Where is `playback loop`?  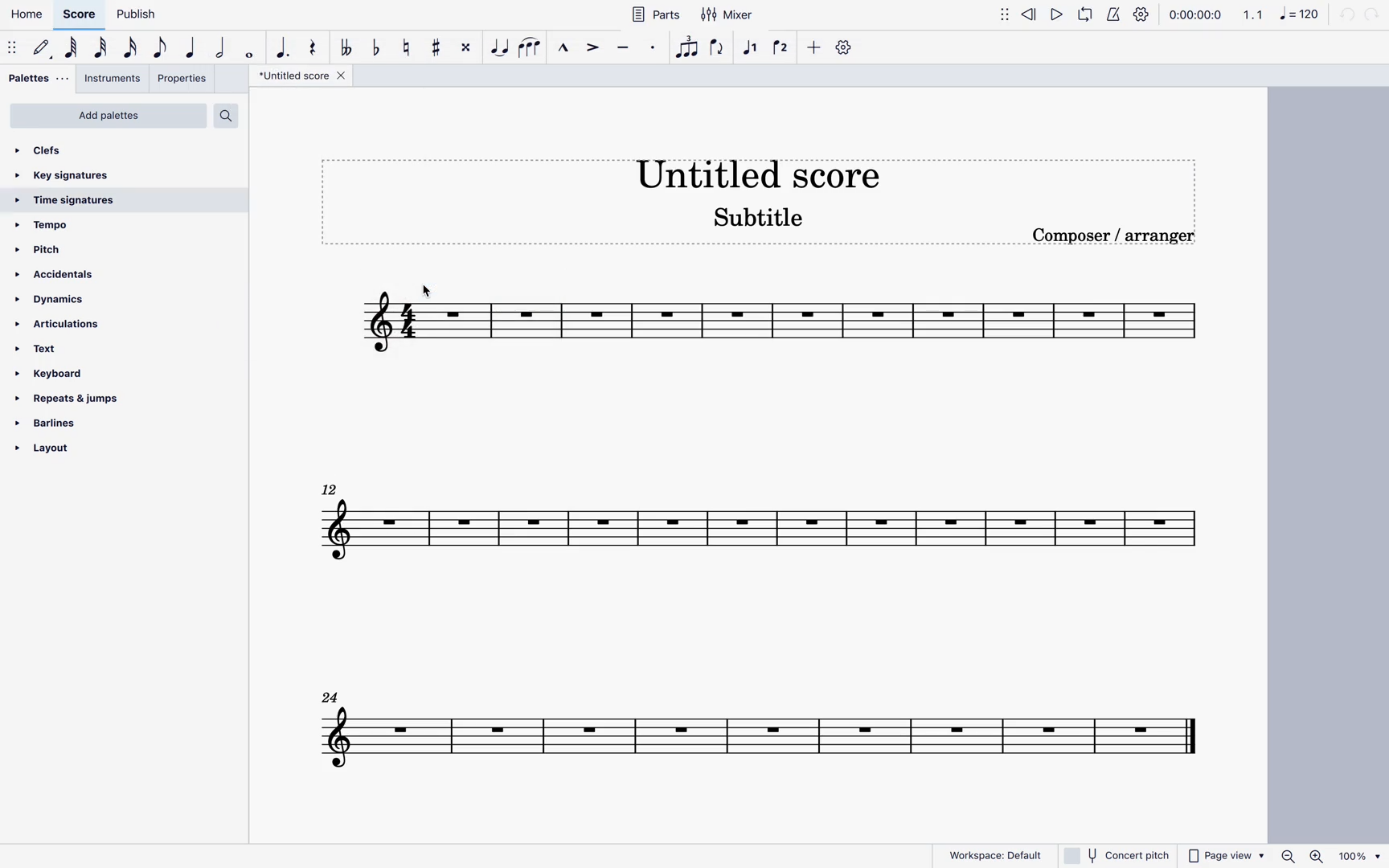 playback loop is located at coordinates (1083, 16).